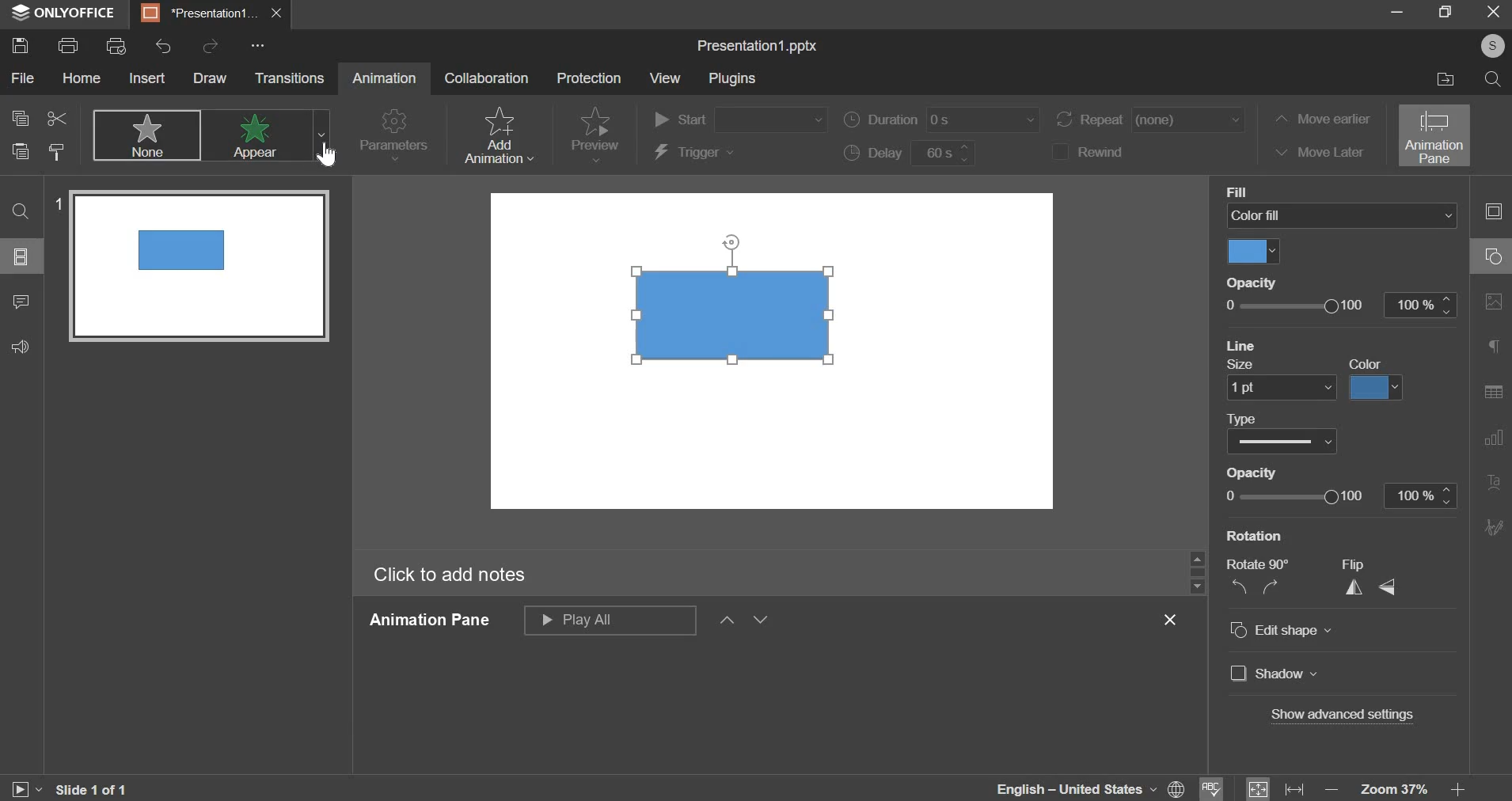 Image resolution: width=1512 pixels, height=801 pixels. What do you see at coordinates (1458, 789) in the screenshot?
I see `zoom` at bounding box center [1458, 789].